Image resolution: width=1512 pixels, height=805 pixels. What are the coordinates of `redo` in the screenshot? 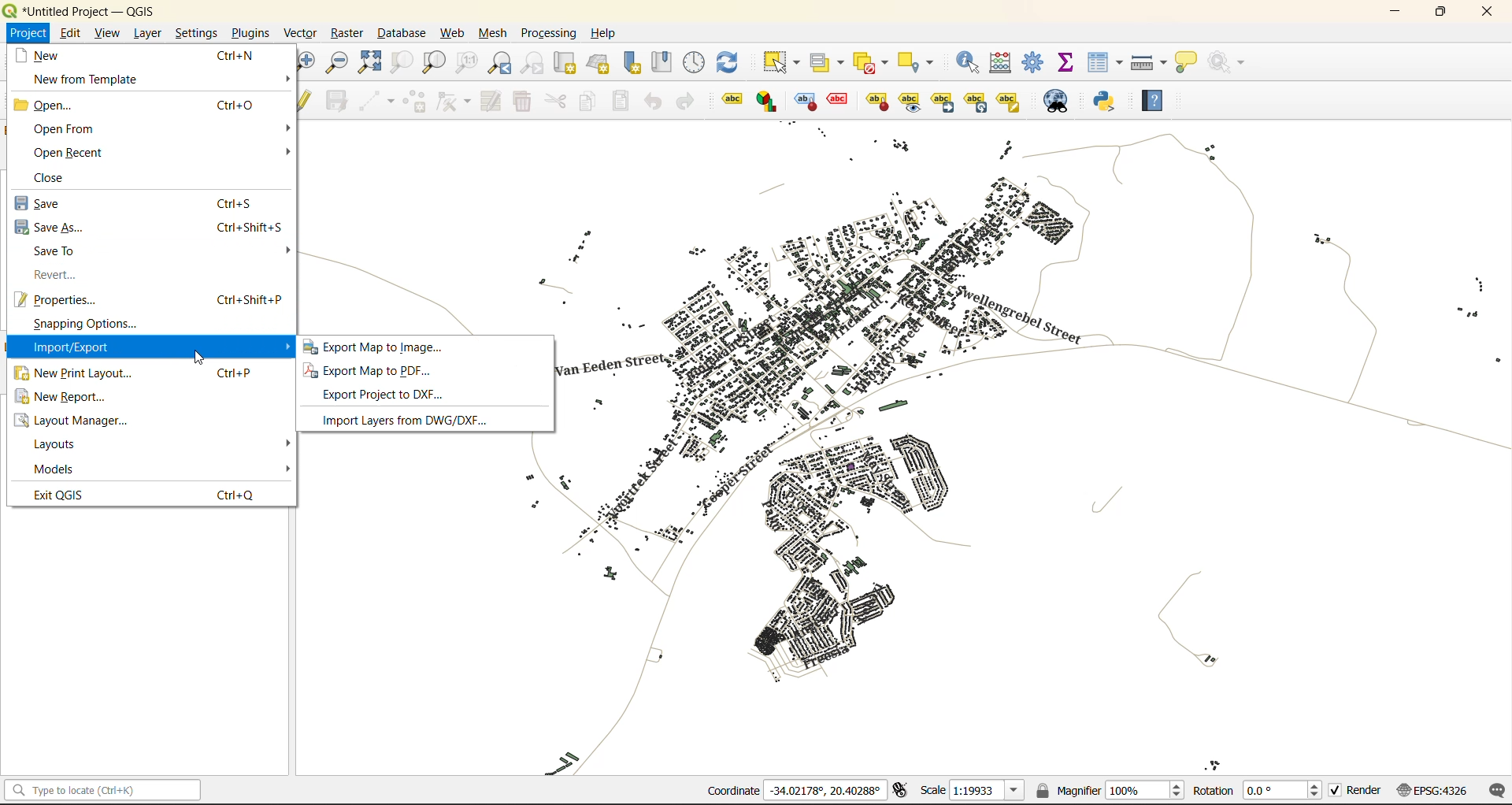 It's located at (688, 102).